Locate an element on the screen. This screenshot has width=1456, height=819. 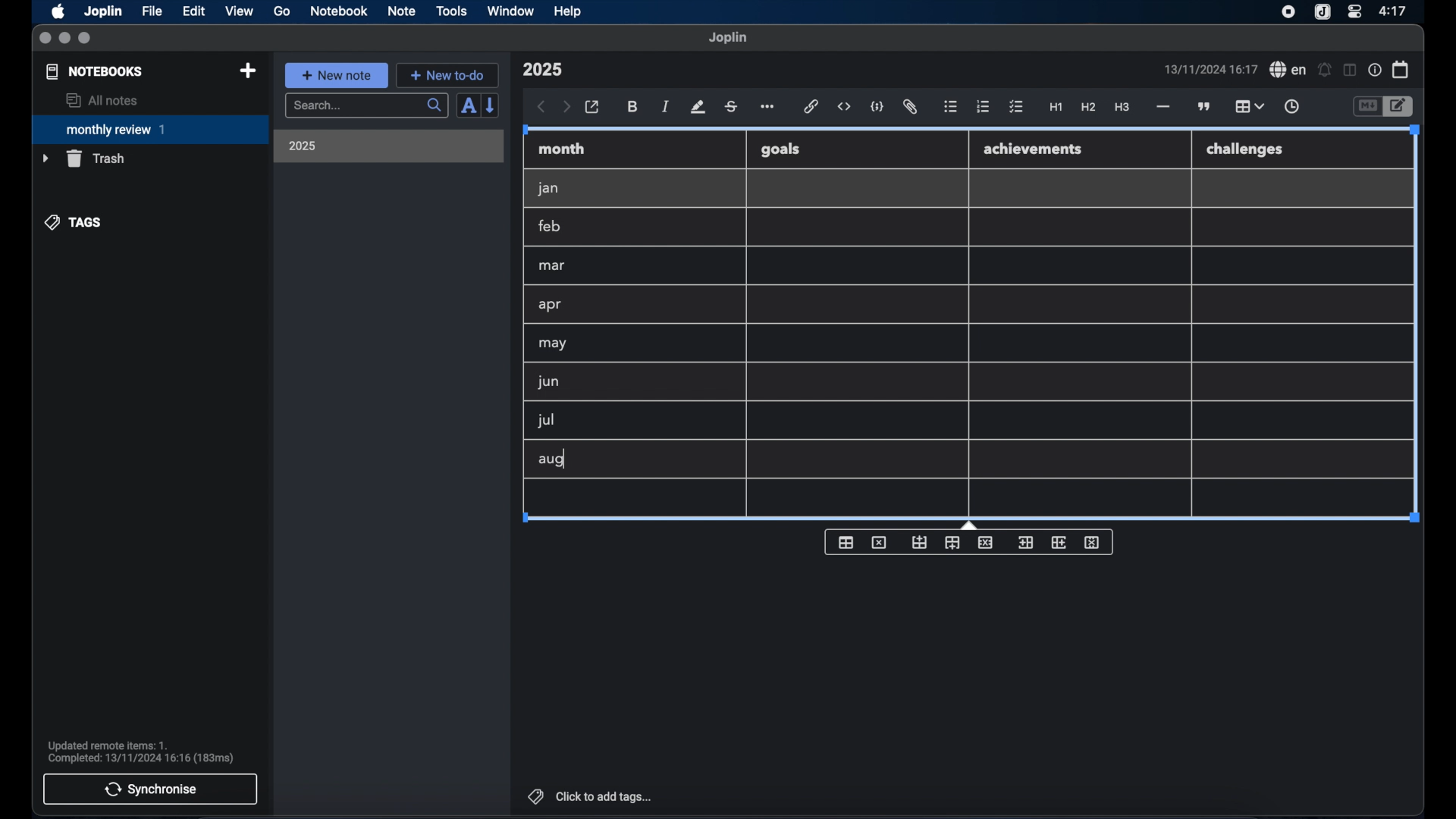
heading 2 is located at coordinates (1089, 108).